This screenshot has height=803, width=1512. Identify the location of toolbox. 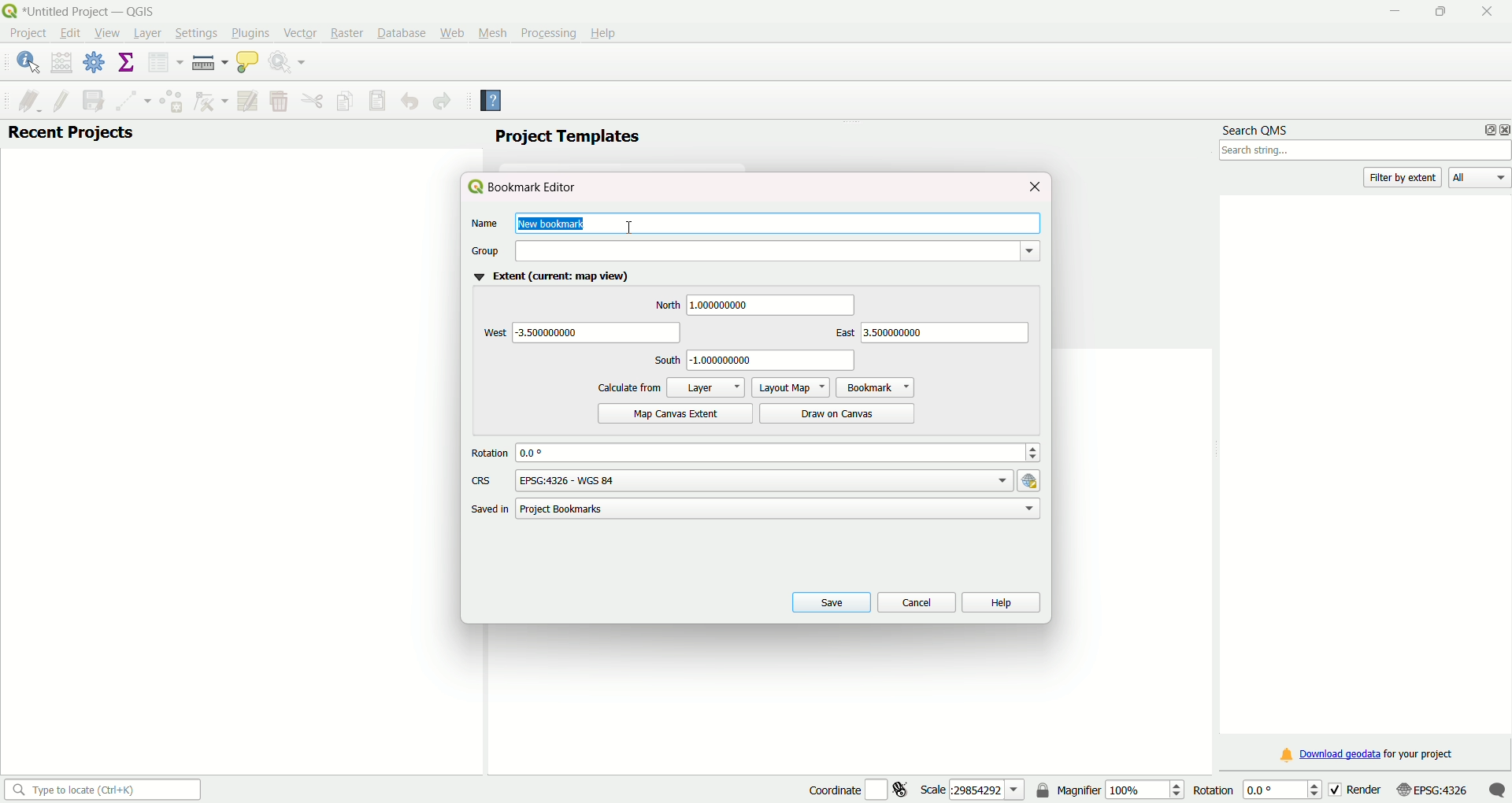
(95, 65).